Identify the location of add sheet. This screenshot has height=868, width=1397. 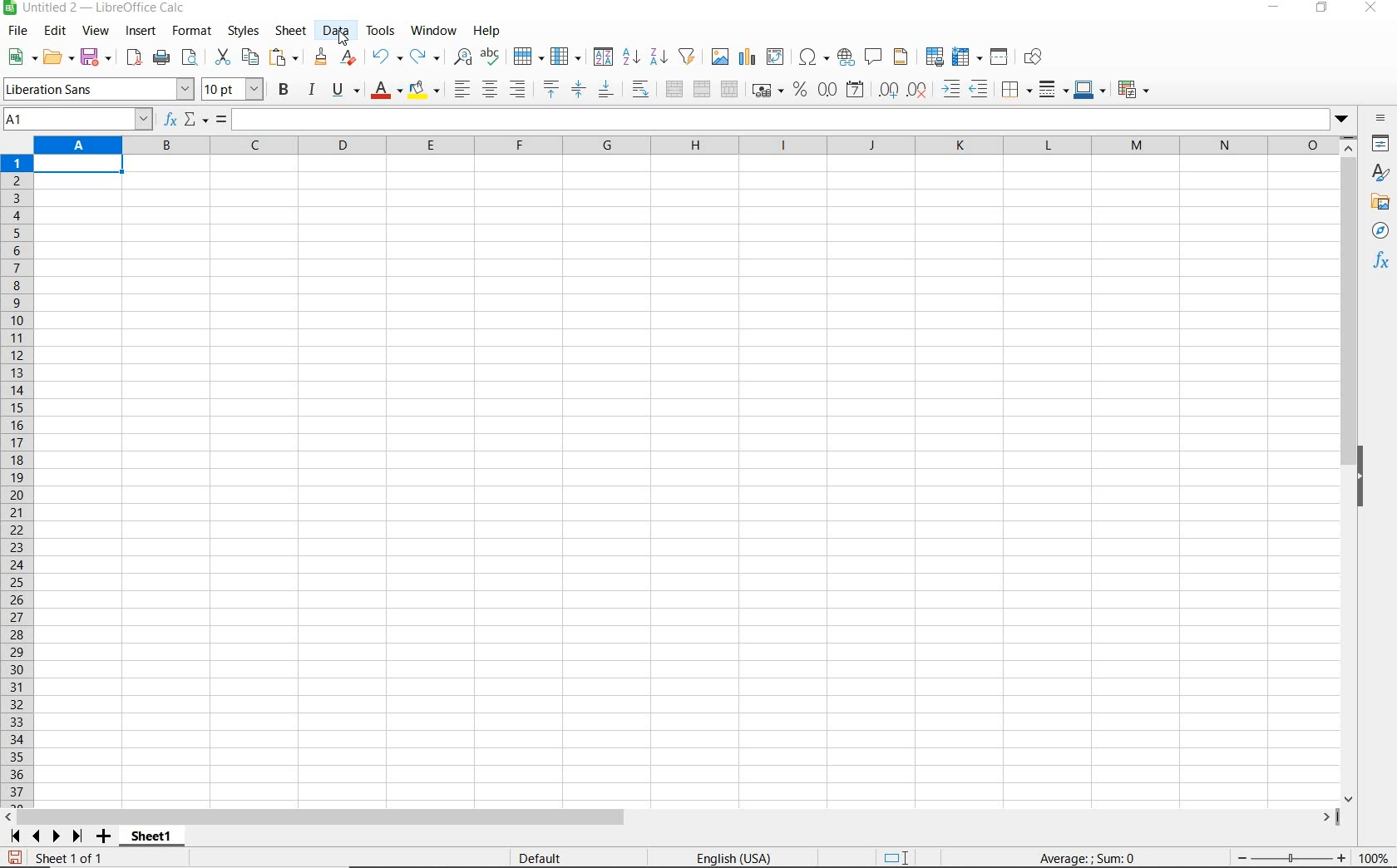
(101, 838).